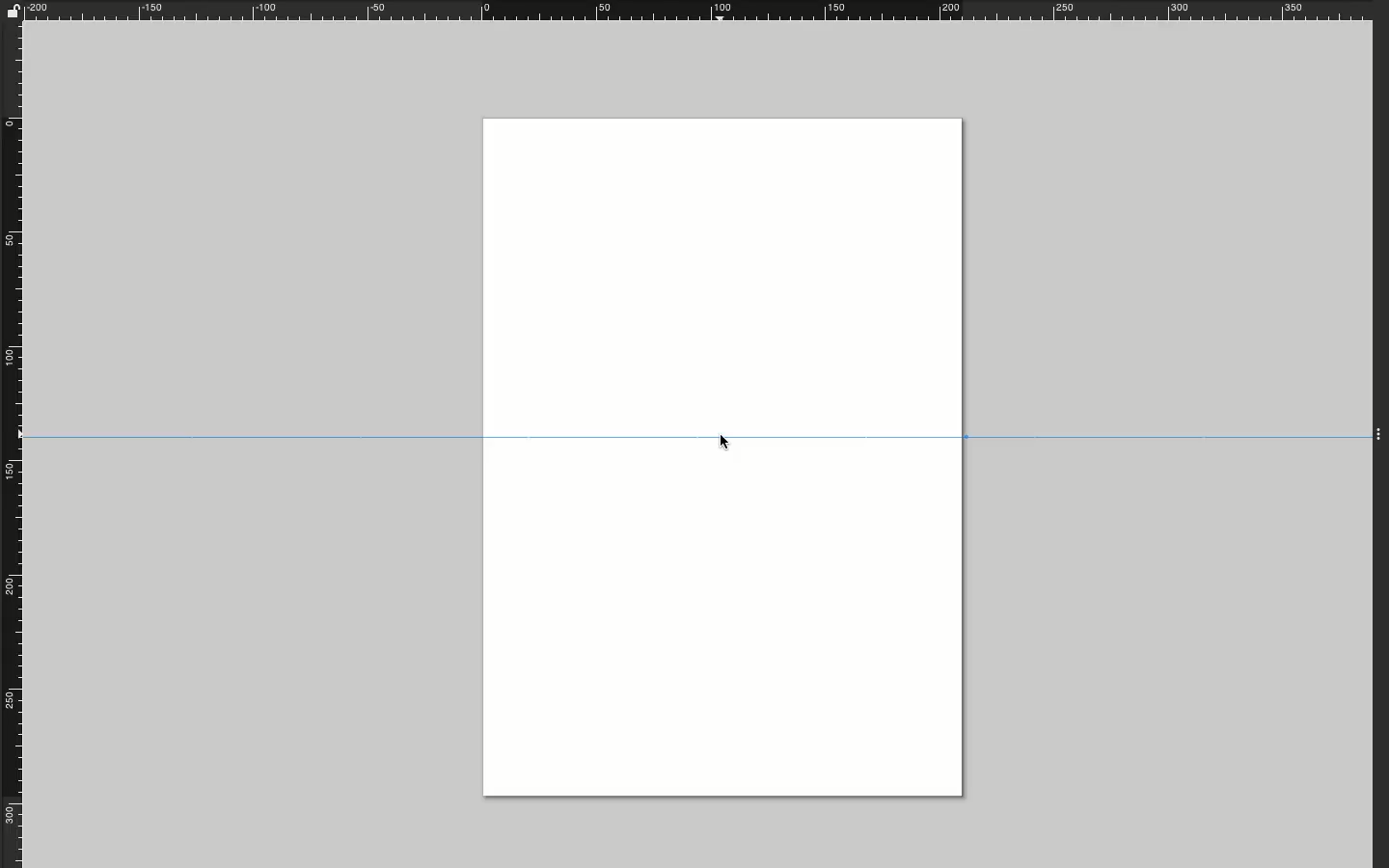 The image size is (1389, 868). What do you see at coordinates (703, 10) in the screenshot?
I see `Ruler` at bounding box center [703, 10].